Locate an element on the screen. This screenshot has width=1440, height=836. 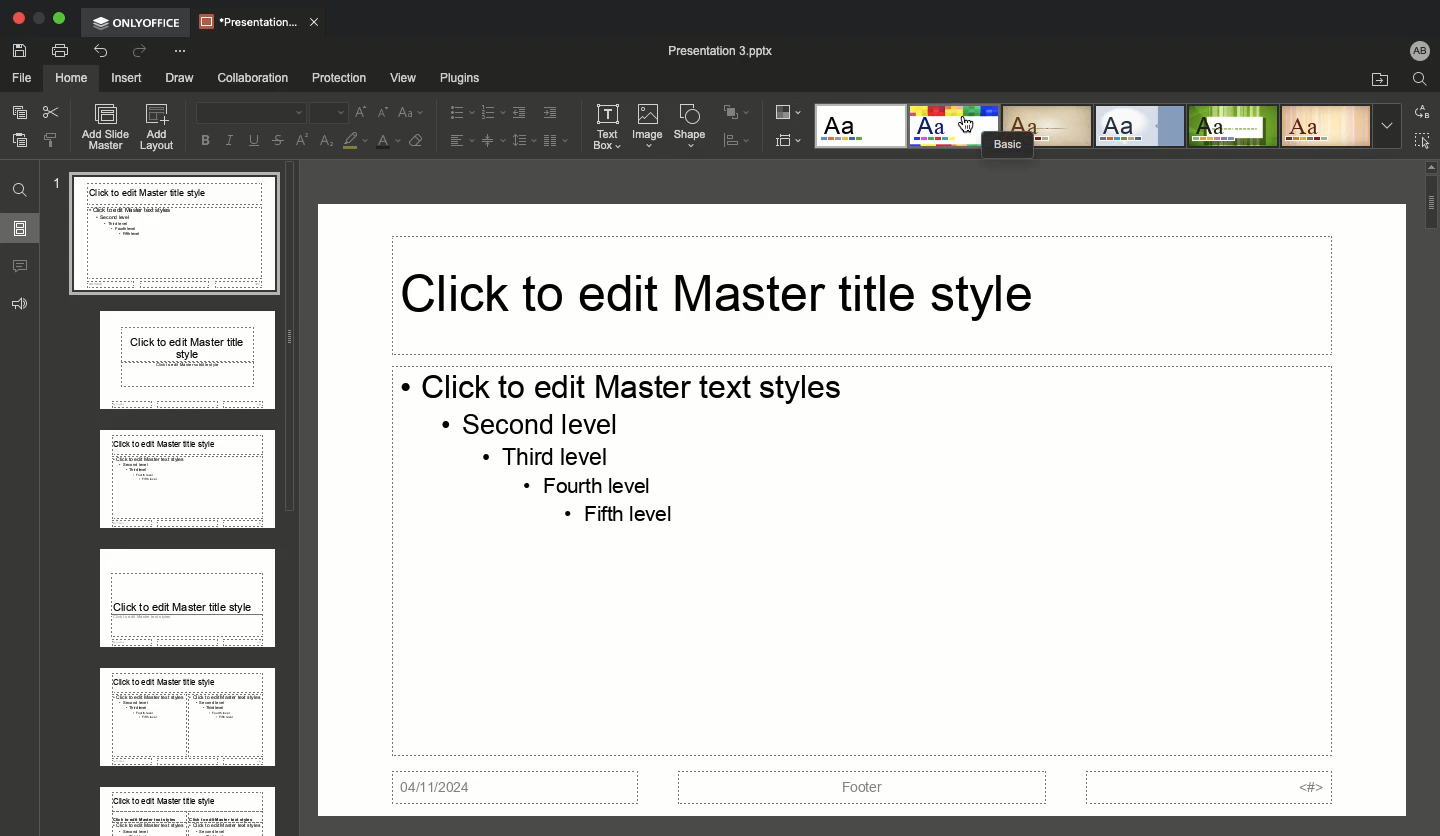
Cut is located at coordinates (53, 114).